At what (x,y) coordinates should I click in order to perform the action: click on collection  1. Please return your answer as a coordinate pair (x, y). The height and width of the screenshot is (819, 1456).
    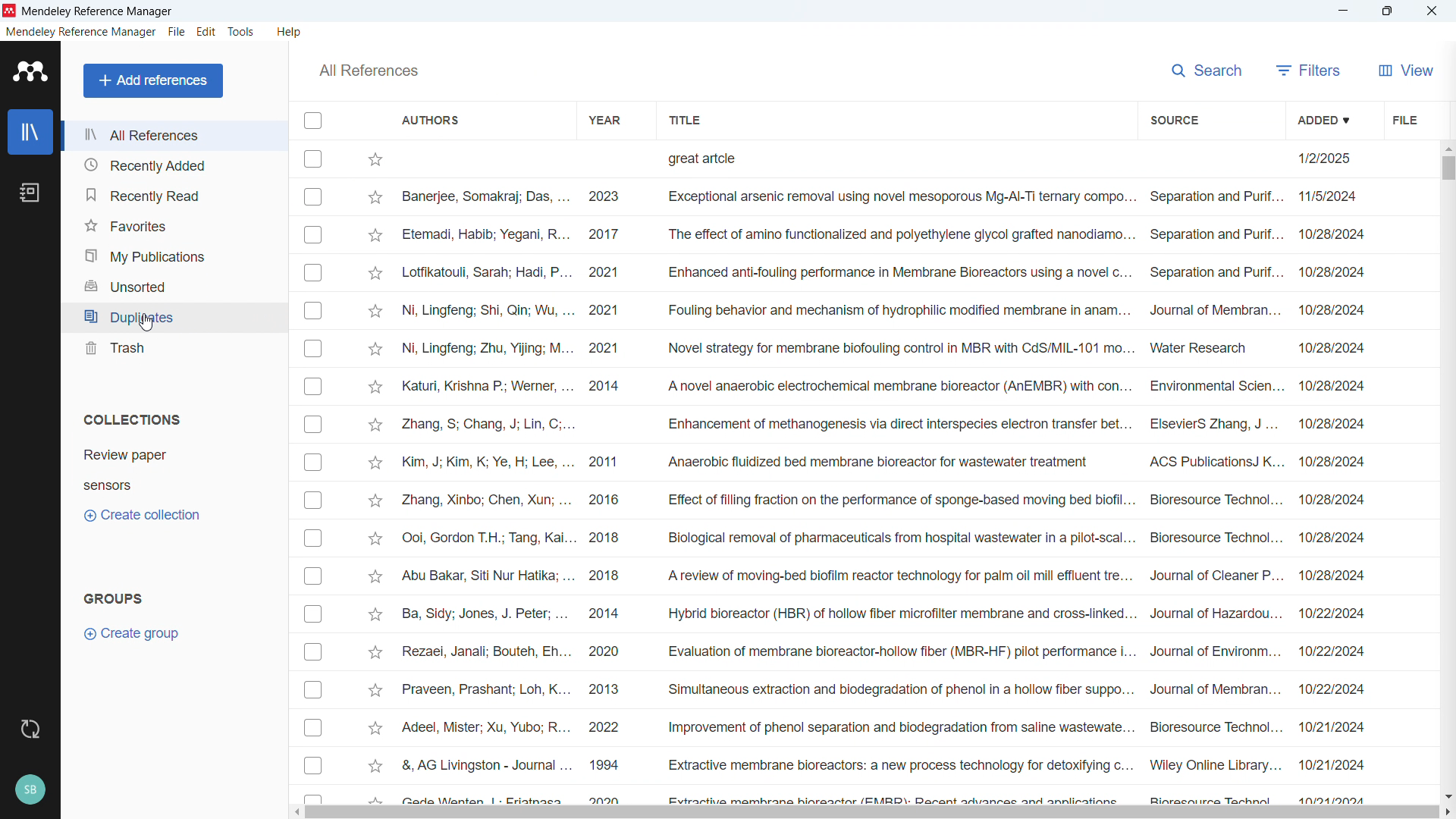
    Looking at the image, I should click on (168, 453).